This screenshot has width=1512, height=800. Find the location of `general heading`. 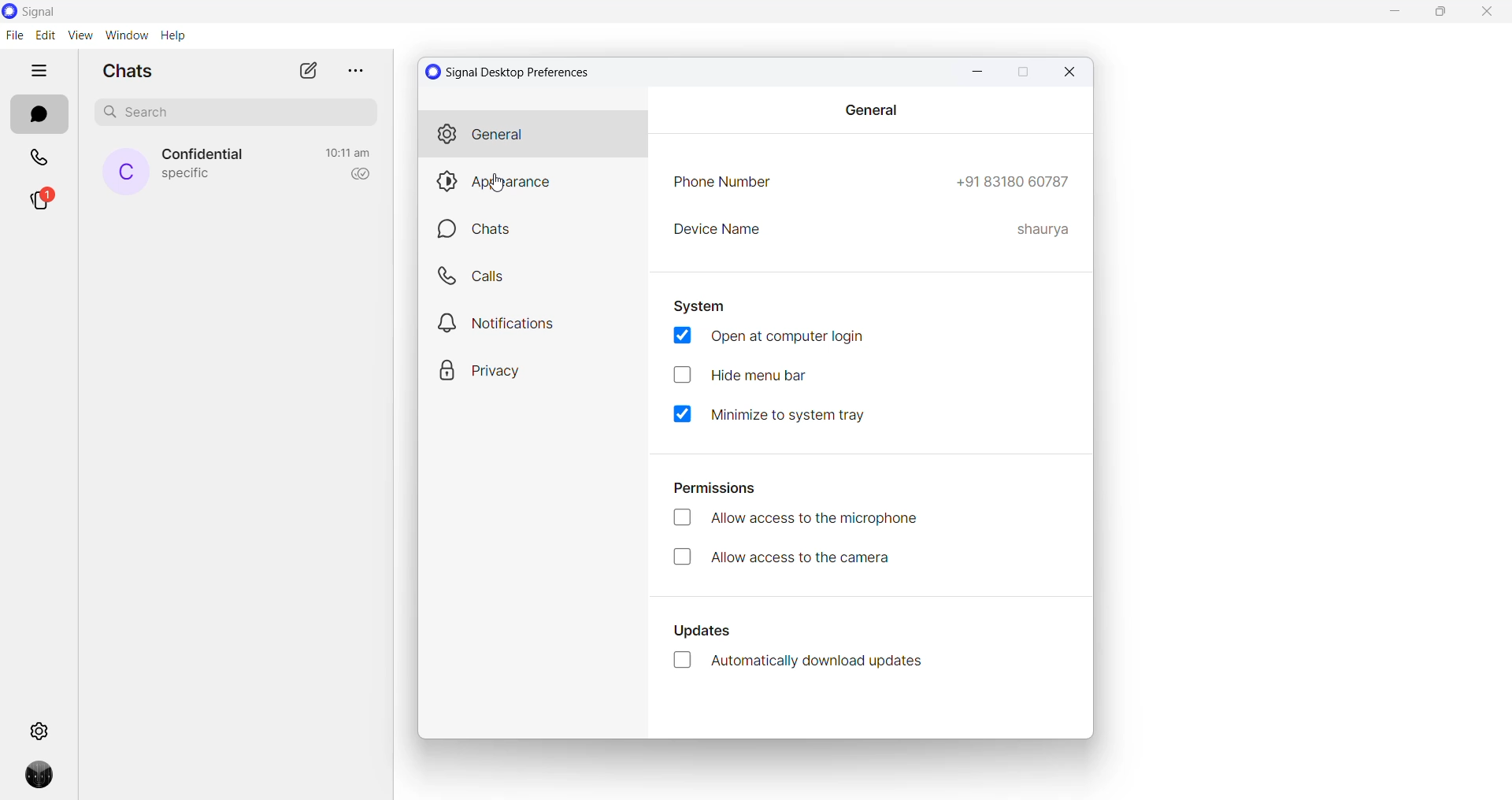

general heading is located at coordinates (873, 109).